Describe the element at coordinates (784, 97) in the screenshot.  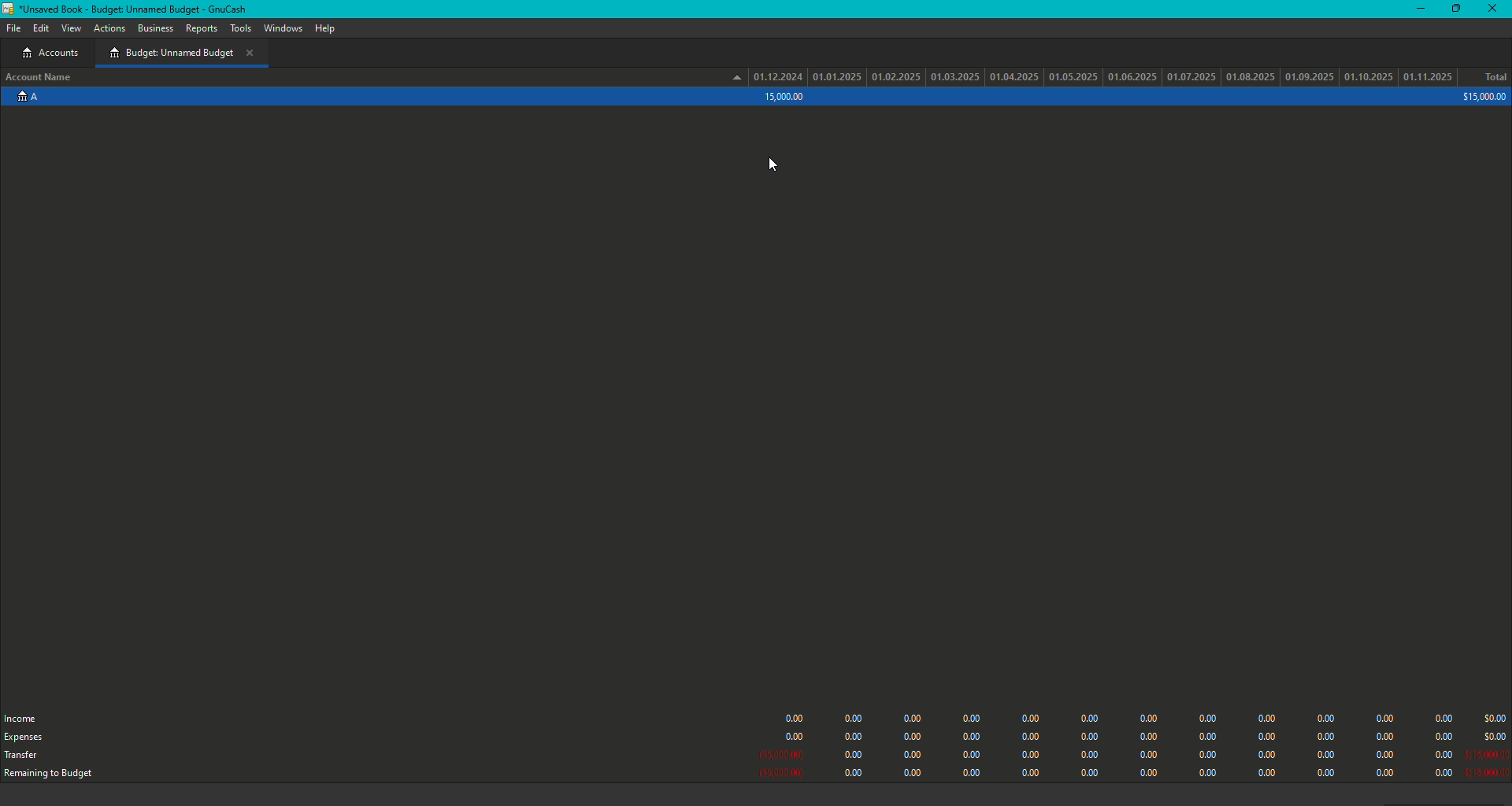
I see `15000` at that location.